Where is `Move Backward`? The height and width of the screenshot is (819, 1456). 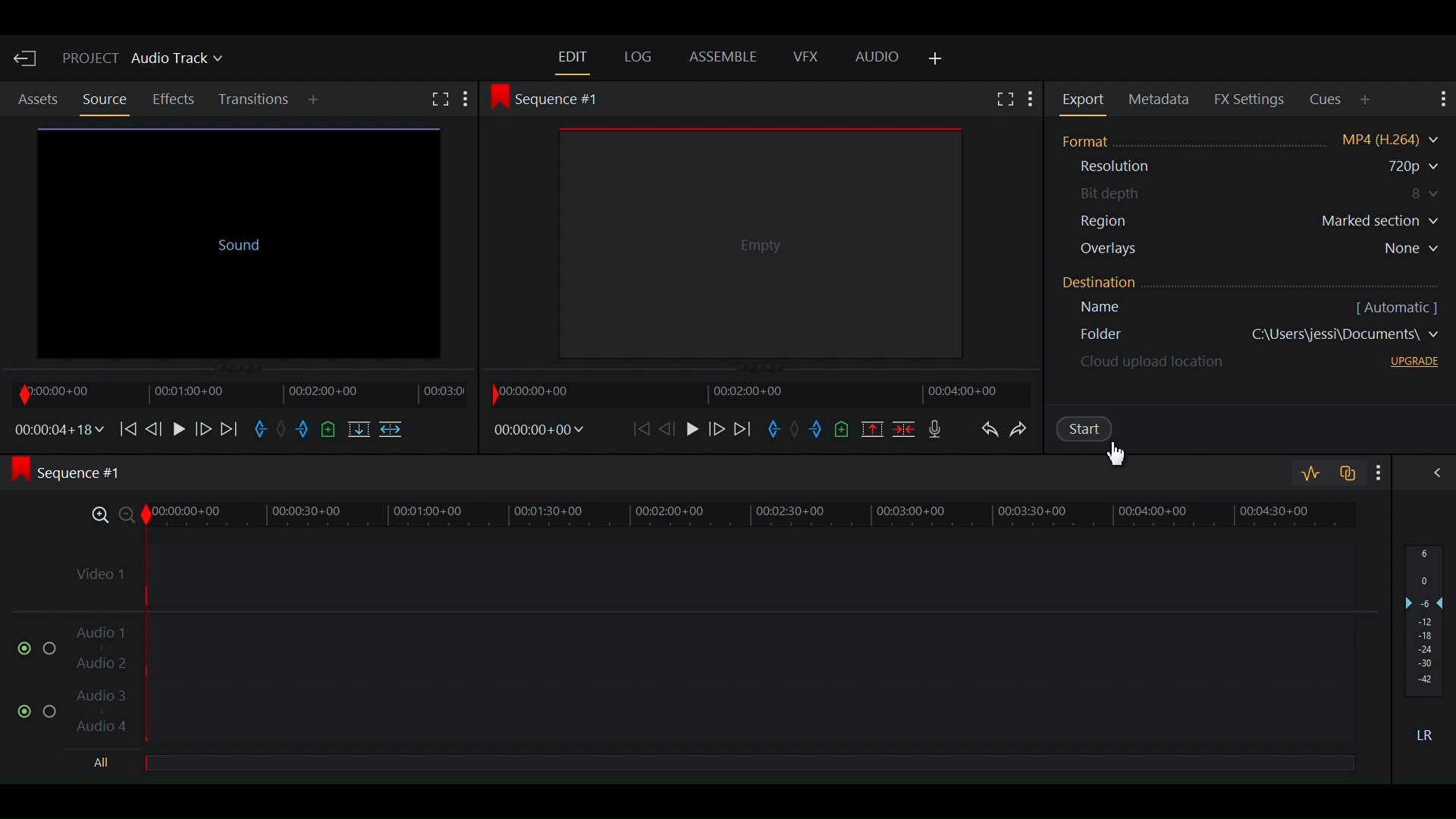 Move Backward is located at coordinates (127, 428).